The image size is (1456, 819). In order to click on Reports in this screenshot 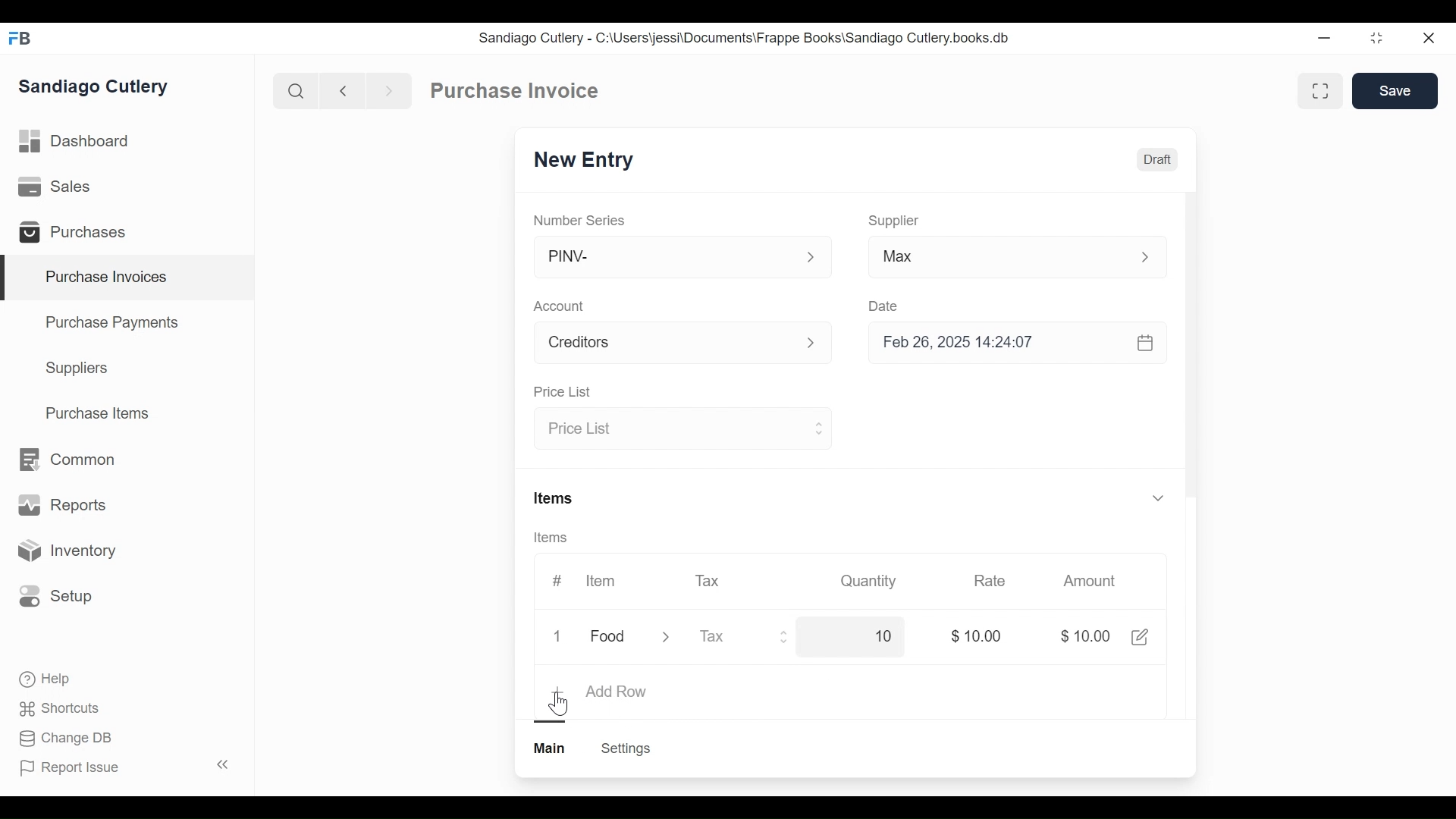, I will do `click(62, 508)`.